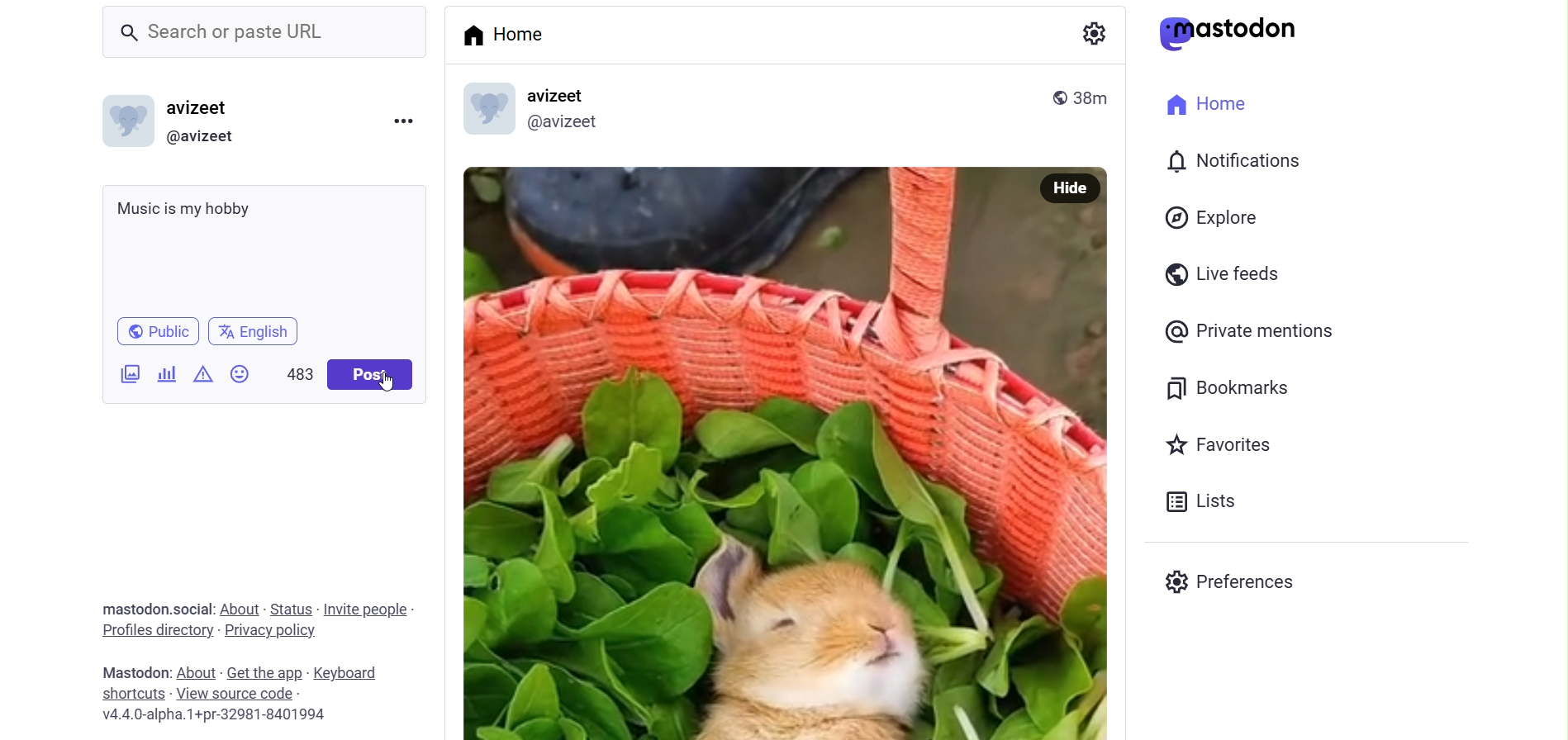  I want to click on Profile Picture, so click(125, 121).